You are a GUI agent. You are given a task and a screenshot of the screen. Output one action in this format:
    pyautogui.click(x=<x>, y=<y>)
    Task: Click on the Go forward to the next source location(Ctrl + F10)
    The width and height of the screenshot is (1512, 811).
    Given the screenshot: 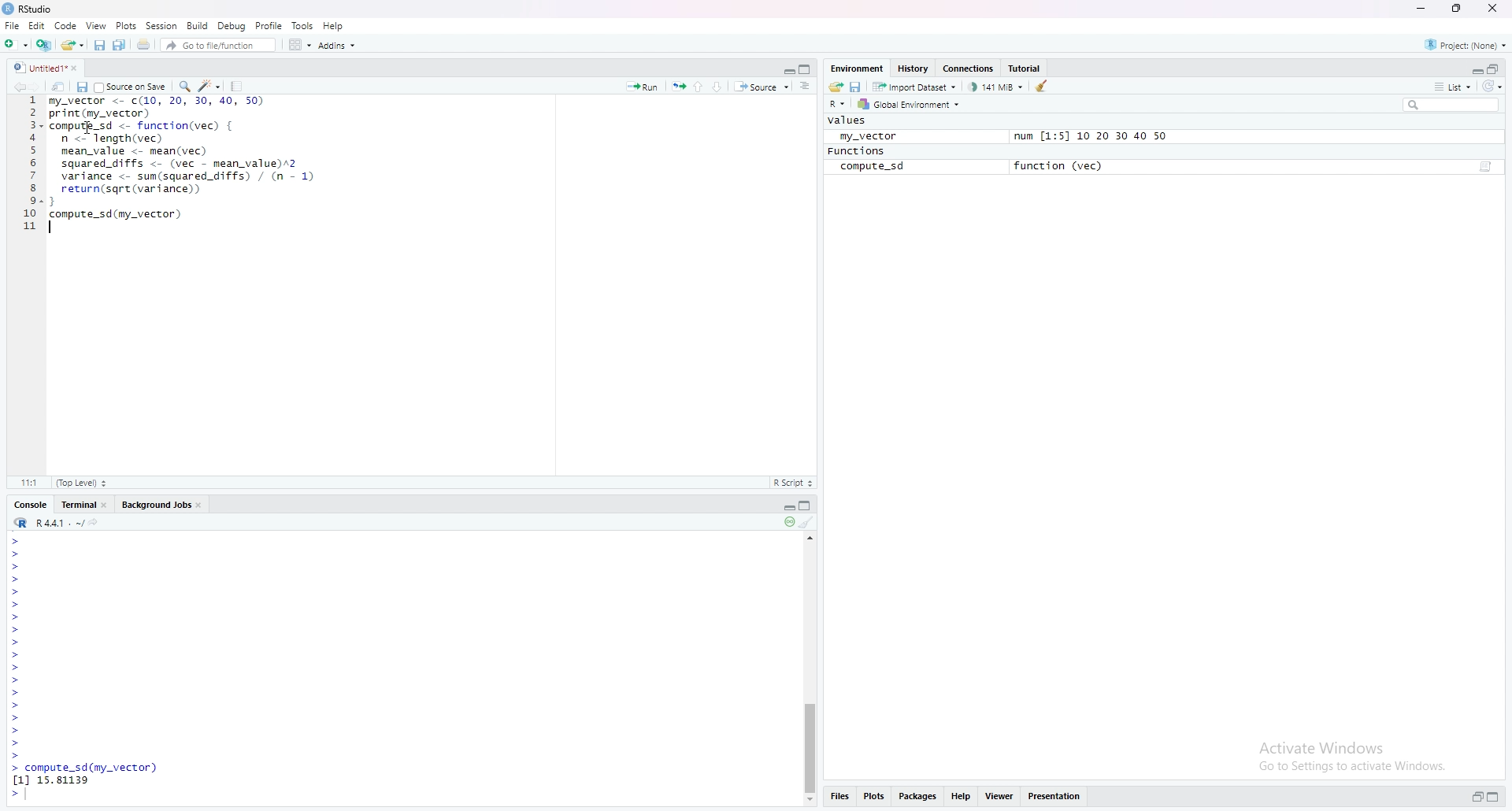 What is the action you would take?
    pyautogui.click(x=43, y=86)
    